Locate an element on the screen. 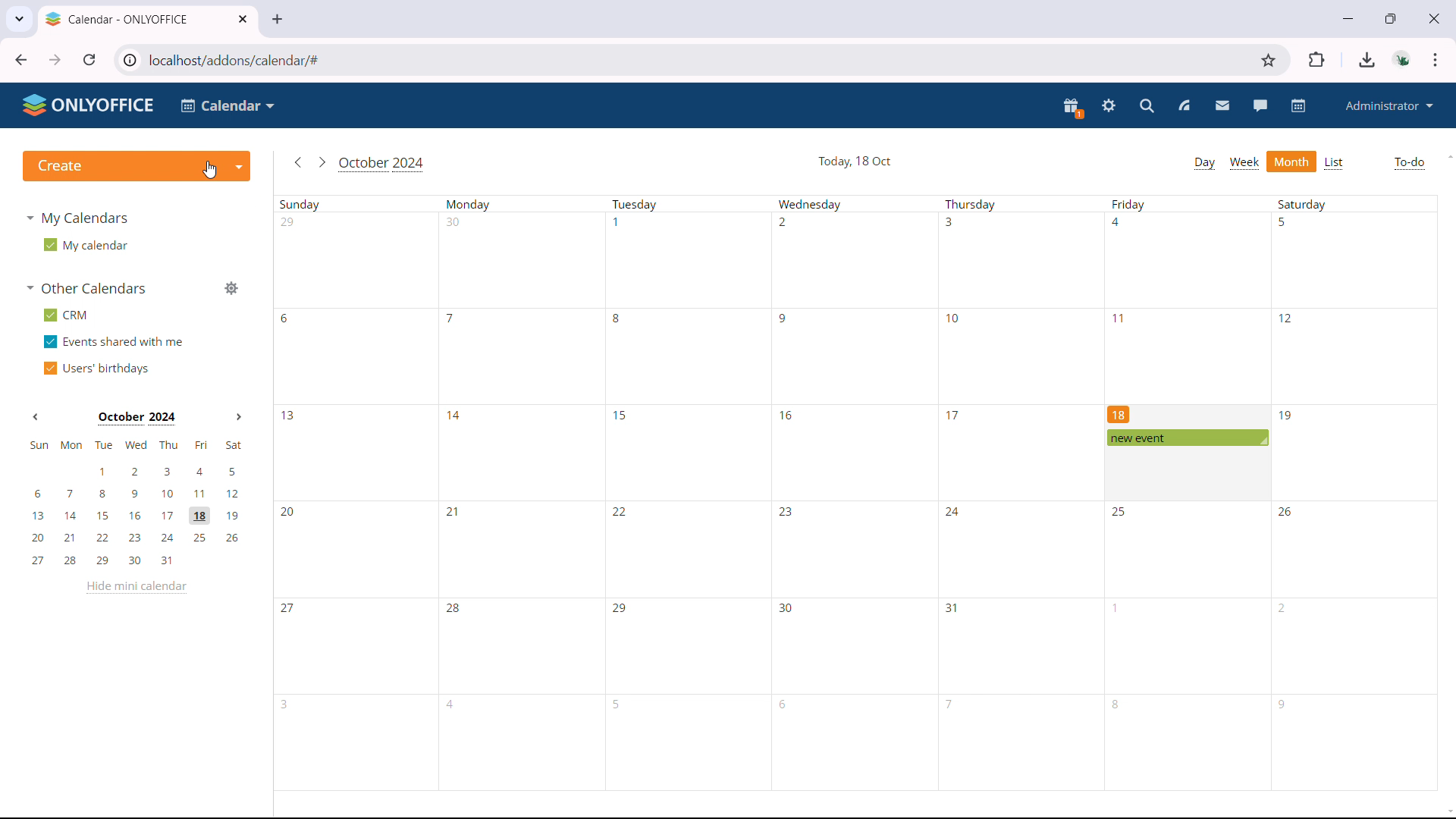  talk is located at coordinates (1260, 105).